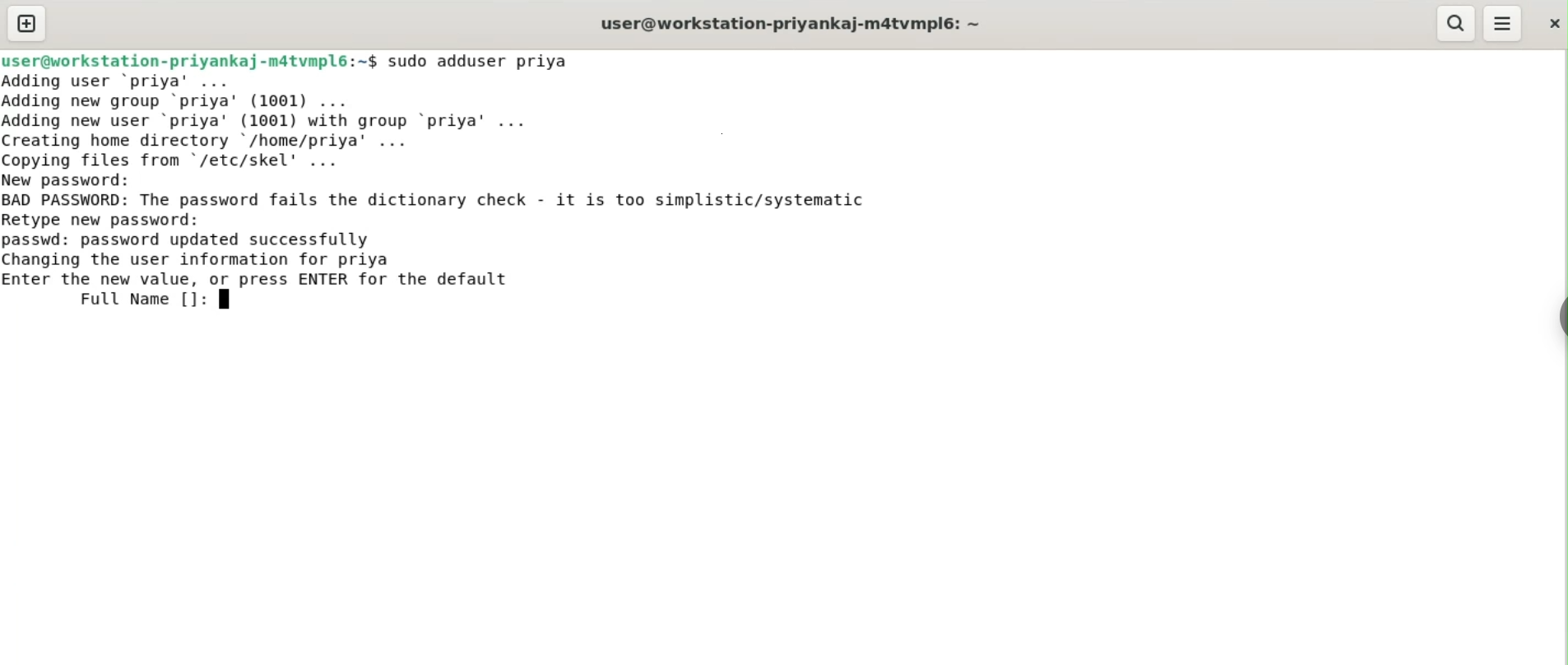  I want to click on Adding user ‘priya’ ...

Adding new group ‘priya’ (1001) ...

Adding new user ‘priya' (1001) with group ‘priya’ ...
Creating home directory /home/priya’ ...

Copving files from "/etc/skel' ..., so click(318, 119).